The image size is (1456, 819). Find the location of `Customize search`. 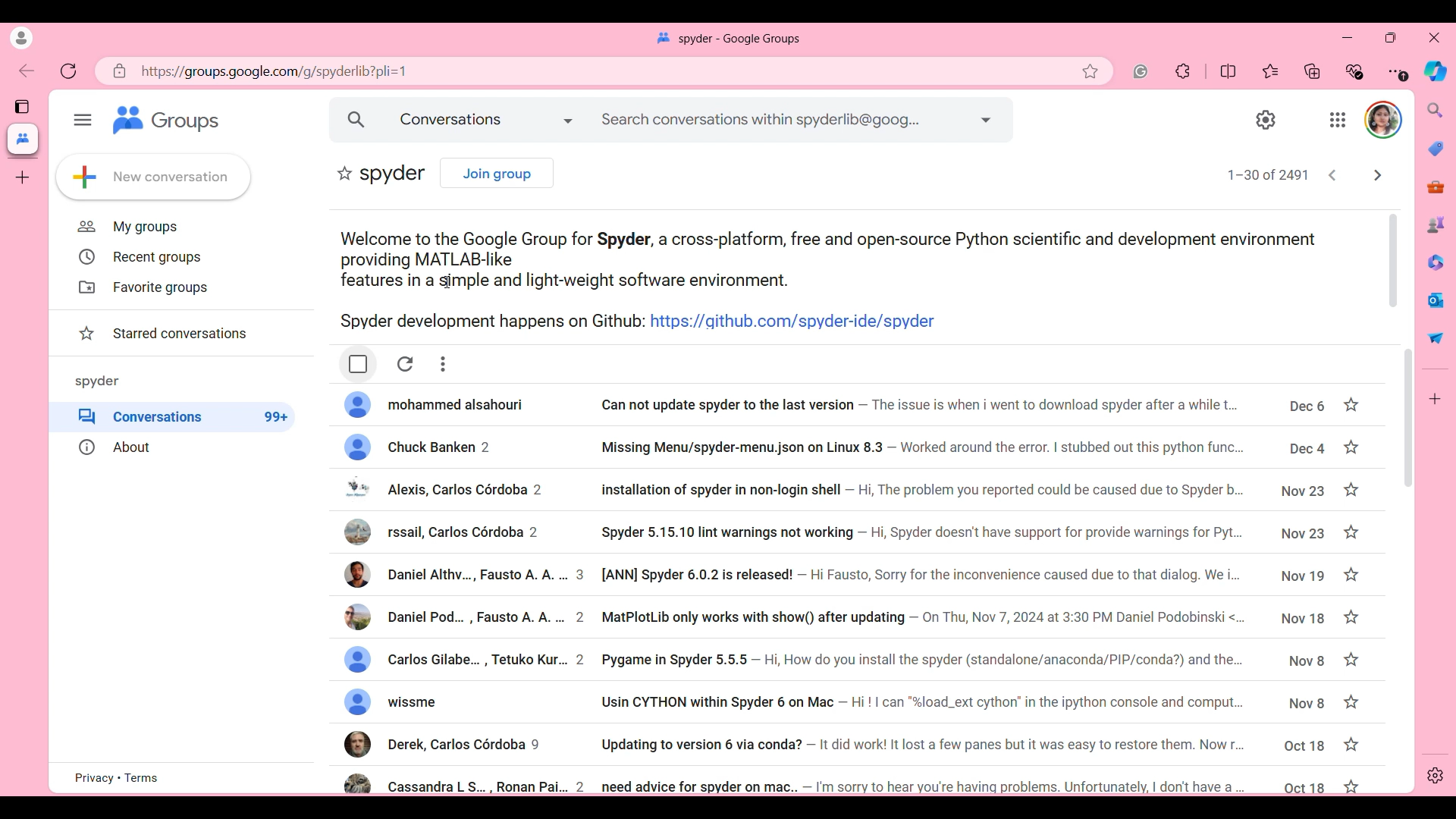

Customize search is located at coordinates (987, 120).